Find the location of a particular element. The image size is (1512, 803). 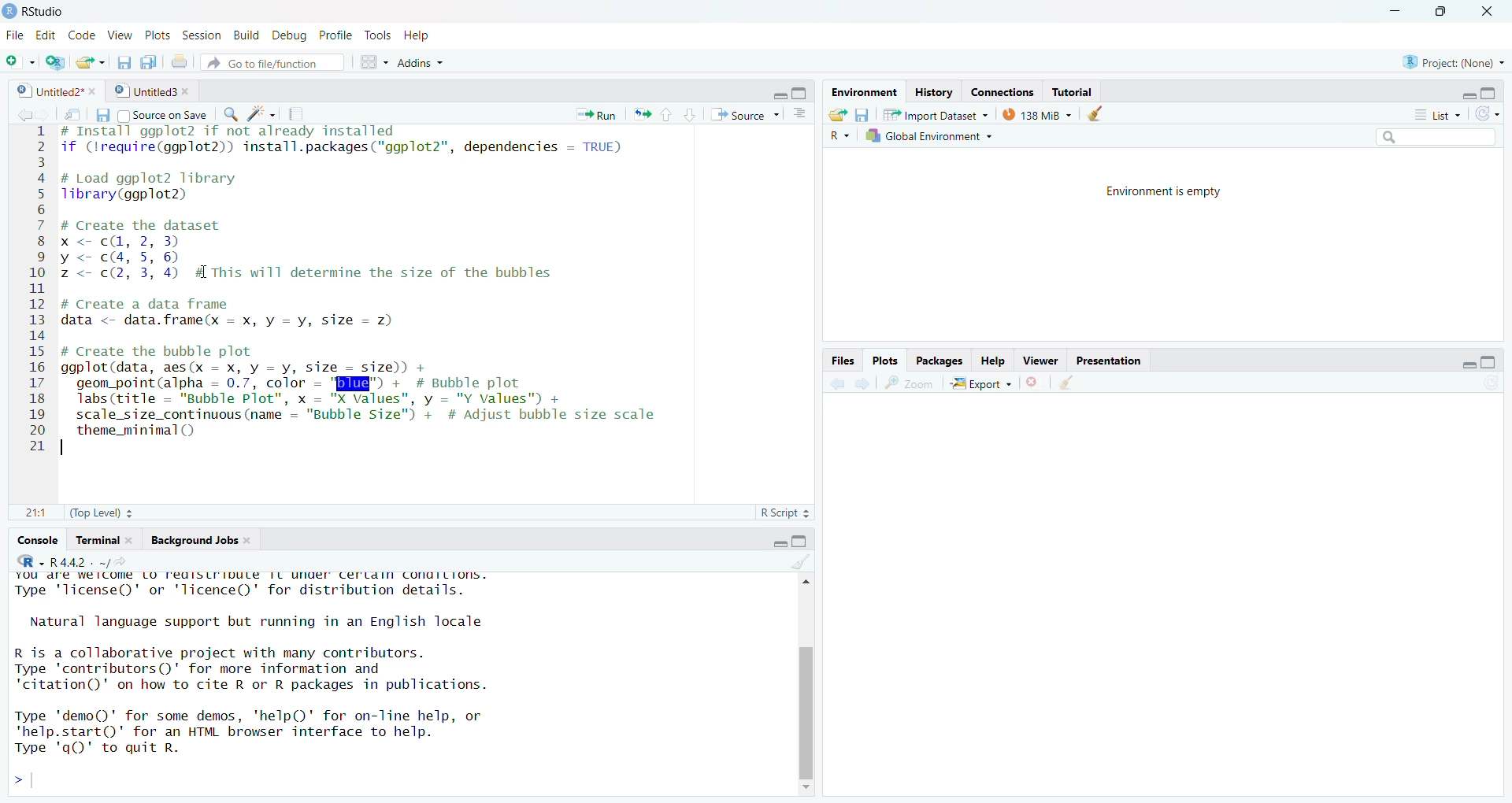

New file is located at coordinates (92, 60).